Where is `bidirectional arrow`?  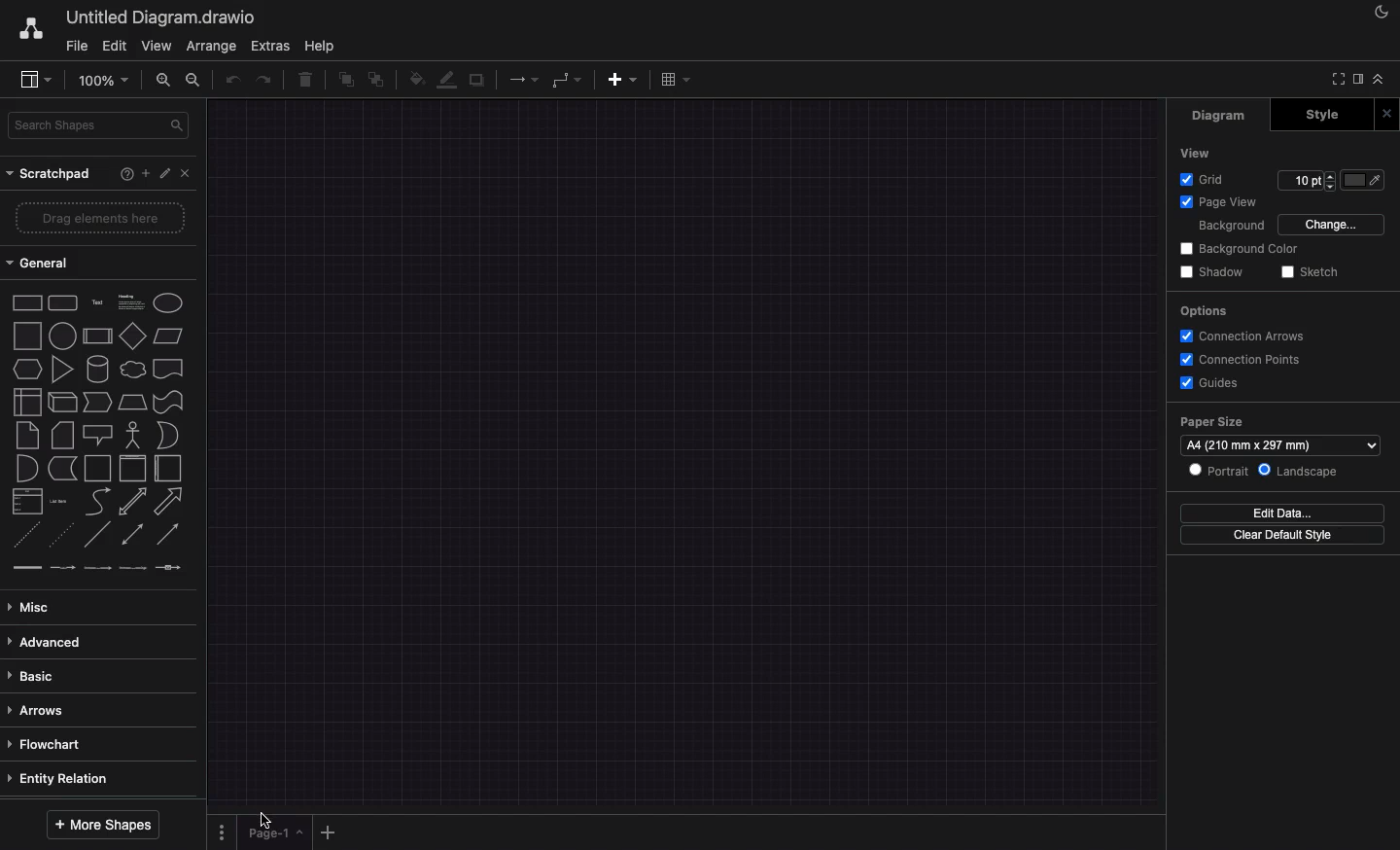 bidirectional arrow is located at coordinates (132, 502).